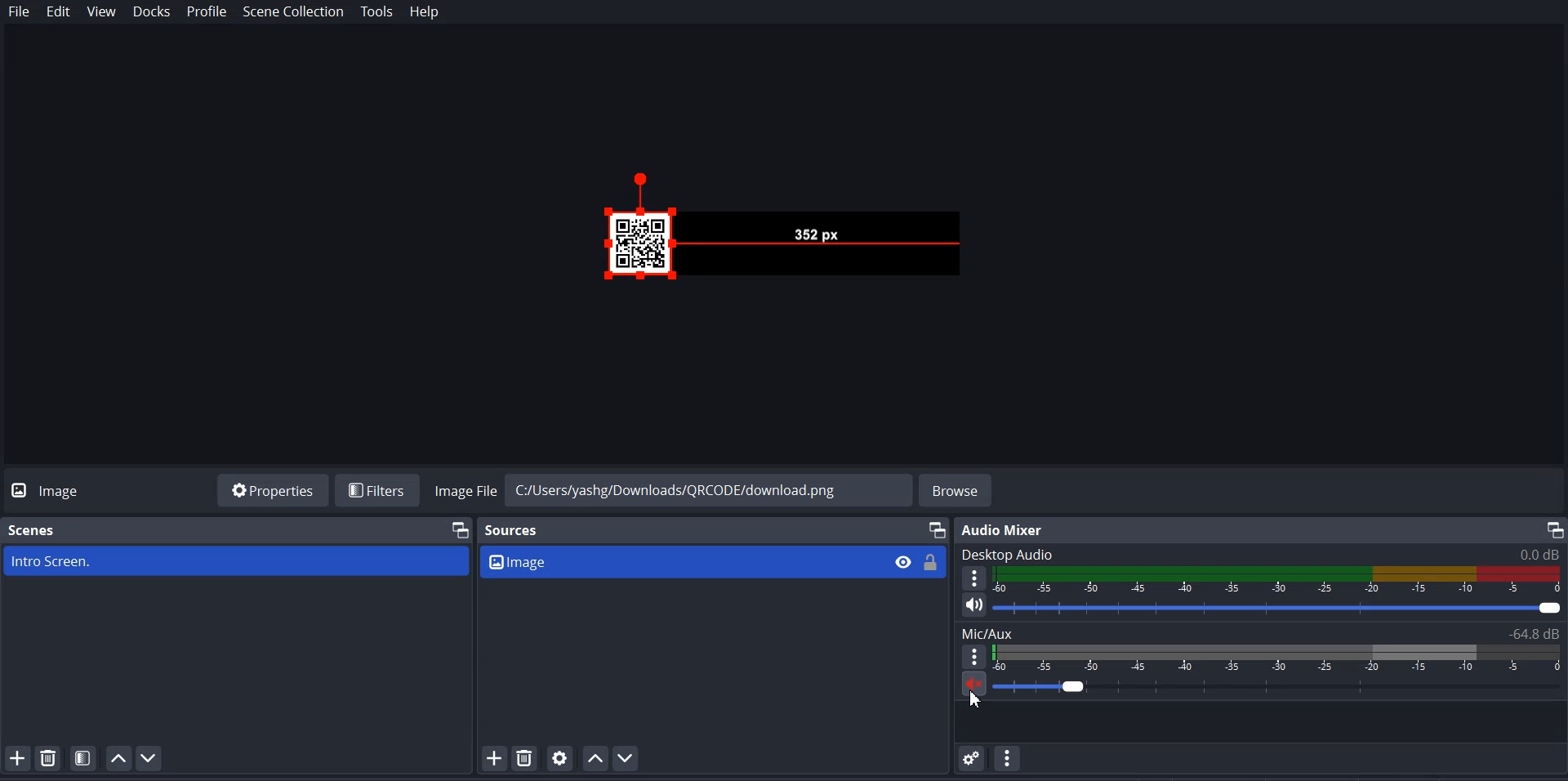 This screenshot has height=781, width=1568. What do you see at coordinates (594, 757) in the screenshot?
I see `Move Source up` at bounding box center [594, 757].